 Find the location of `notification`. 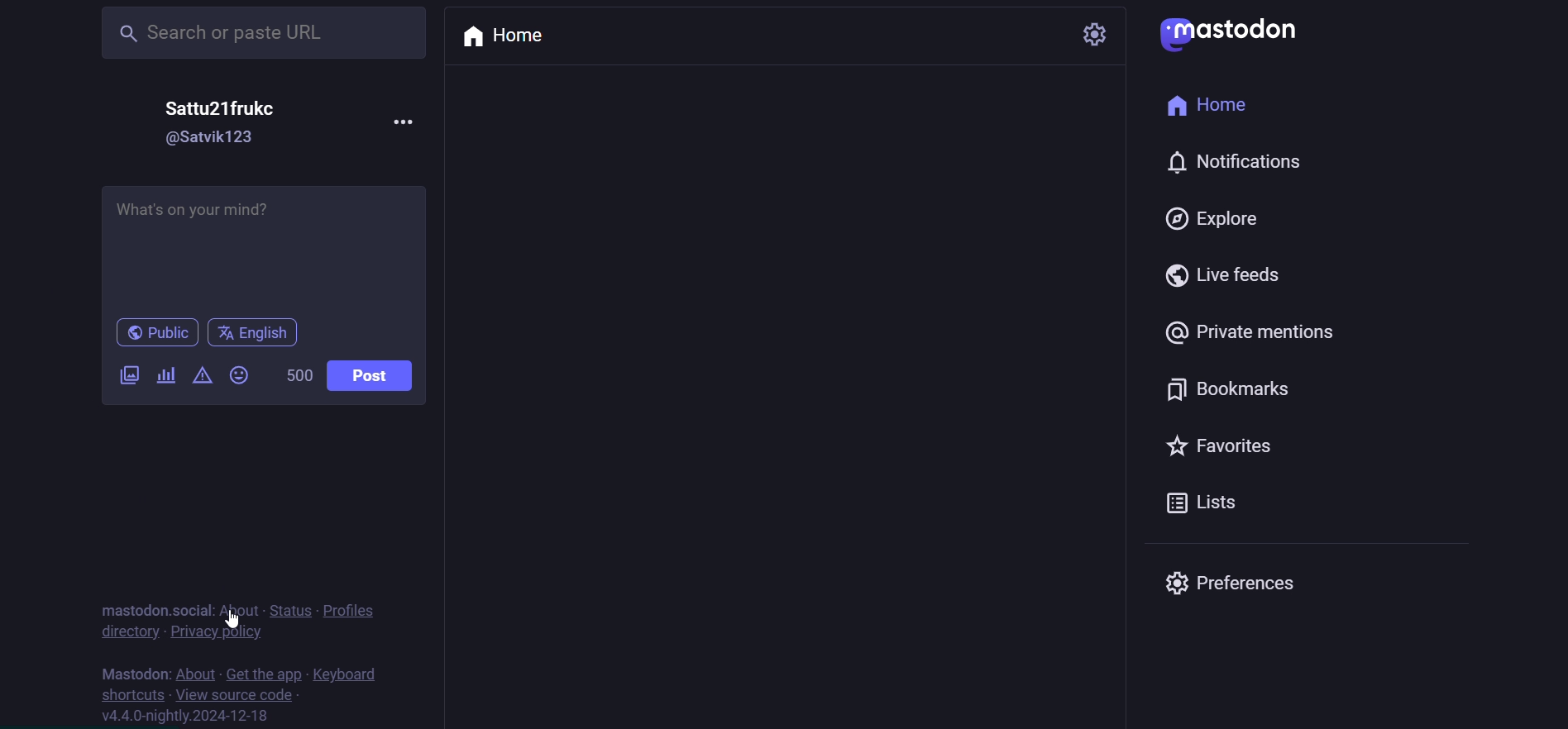

notification is located at coordinates (1244, 163).